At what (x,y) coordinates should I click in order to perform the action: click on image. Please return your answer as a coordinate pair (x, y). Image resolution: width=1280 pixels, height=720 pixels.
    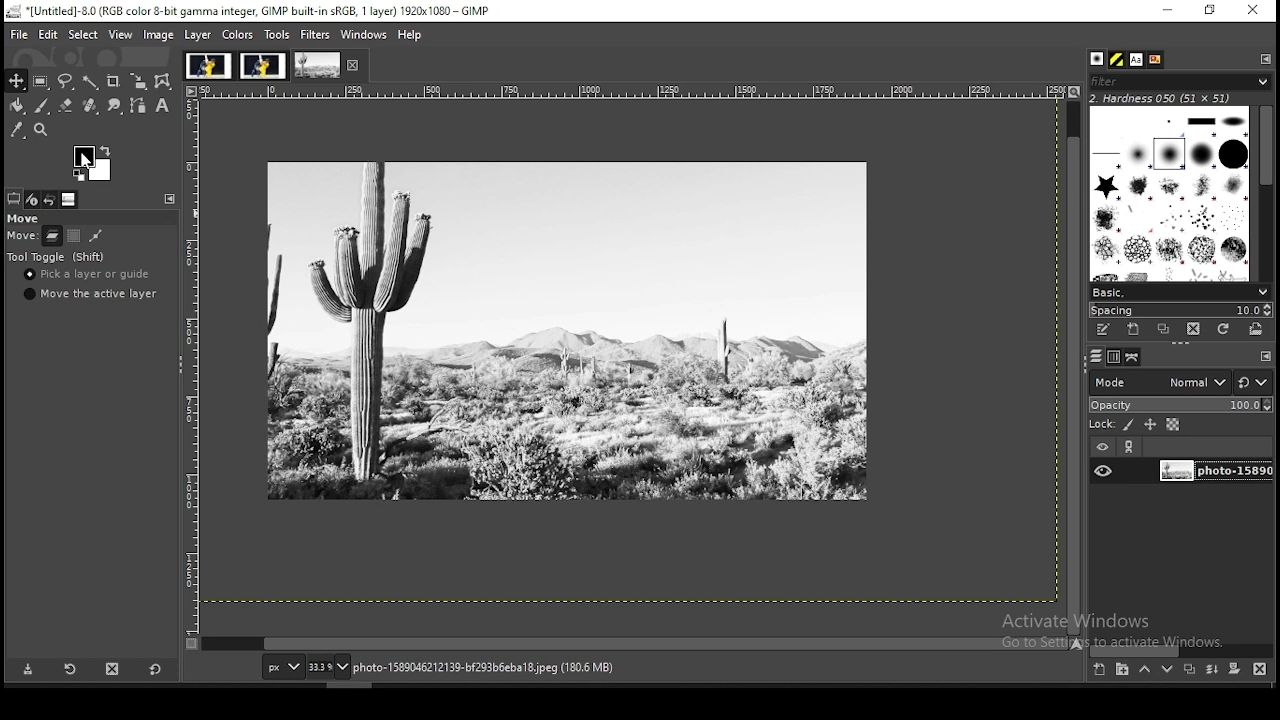
    Looking at the image, I should click on (207, 64).